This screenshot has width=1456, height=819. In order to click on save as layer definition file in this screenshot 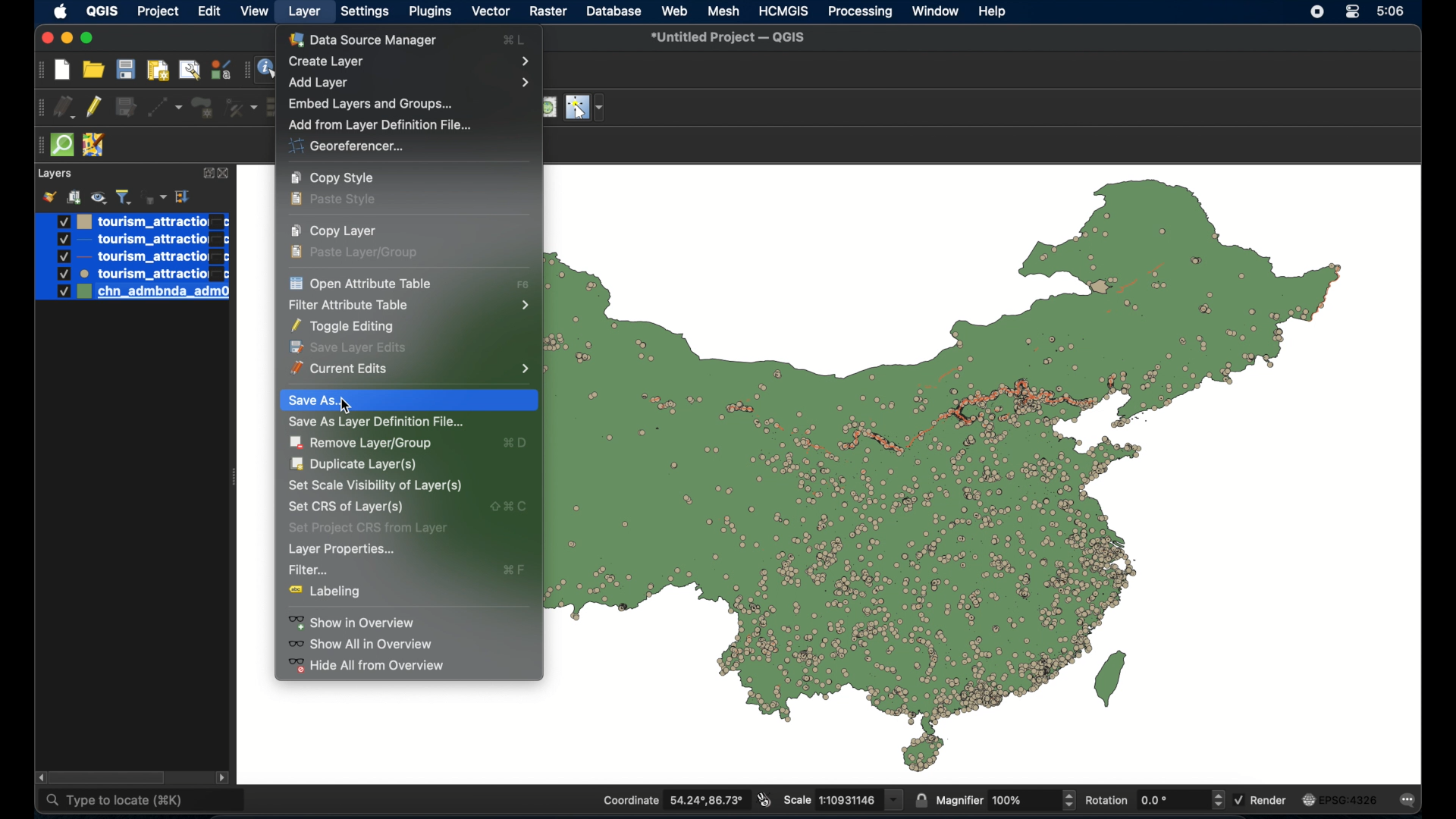, I will do `click(374, 422)`.